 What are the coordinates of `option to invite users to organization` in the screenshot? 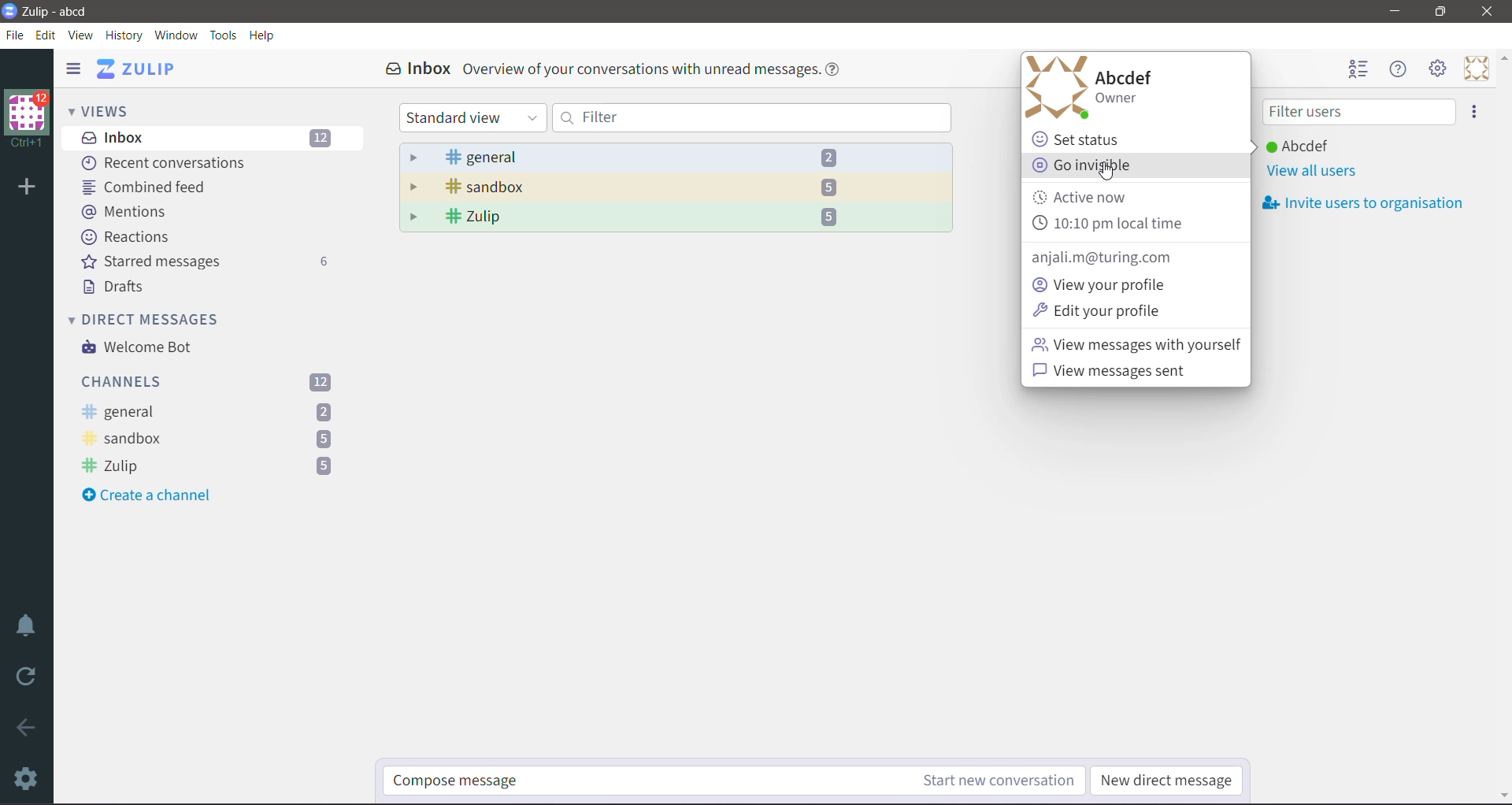 It's located at (1473, 111).